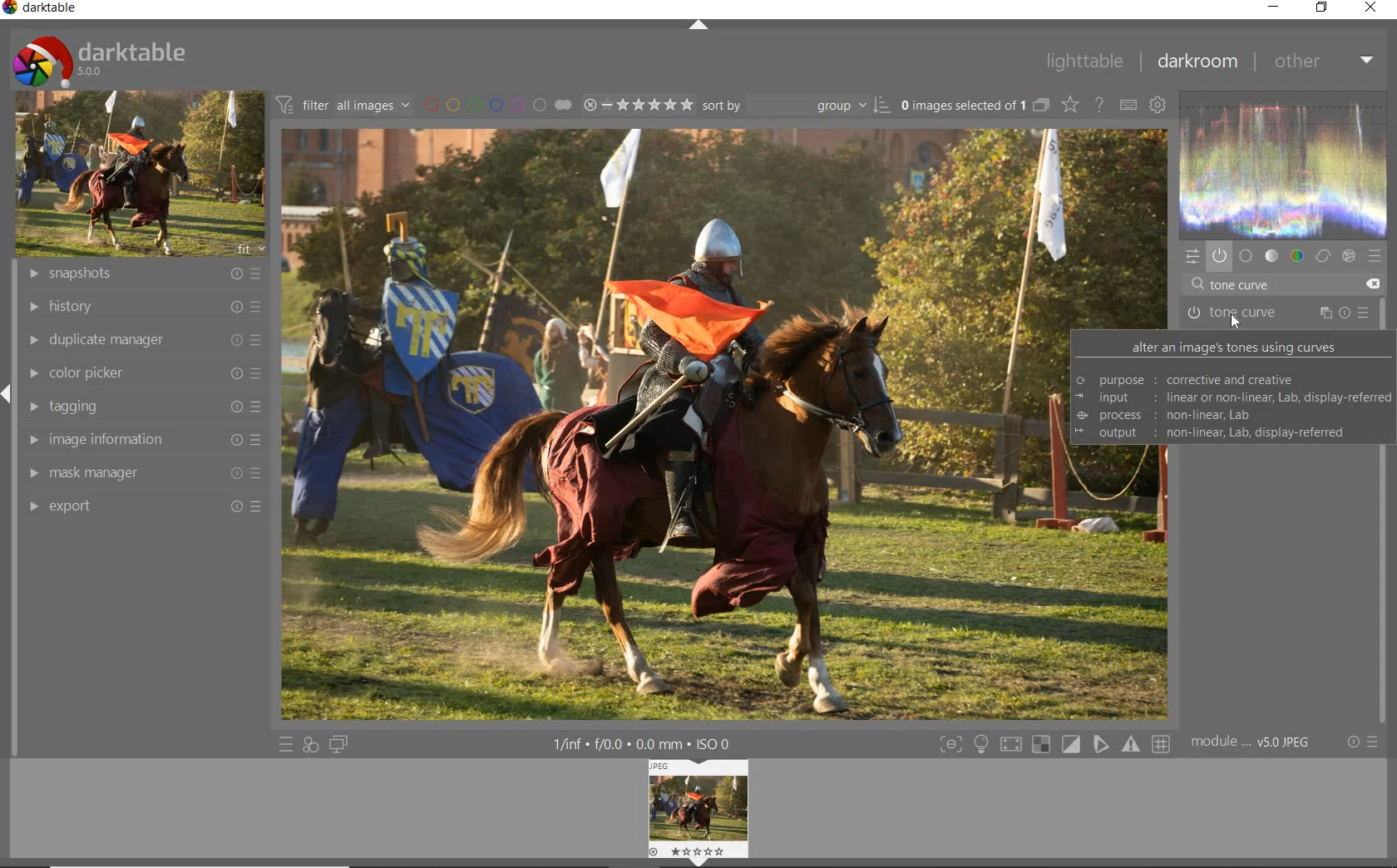 Image resolution: width=1397 pixels, height=868 pixels. I want to click on display a second darkroom image widow, so click(339, 743).